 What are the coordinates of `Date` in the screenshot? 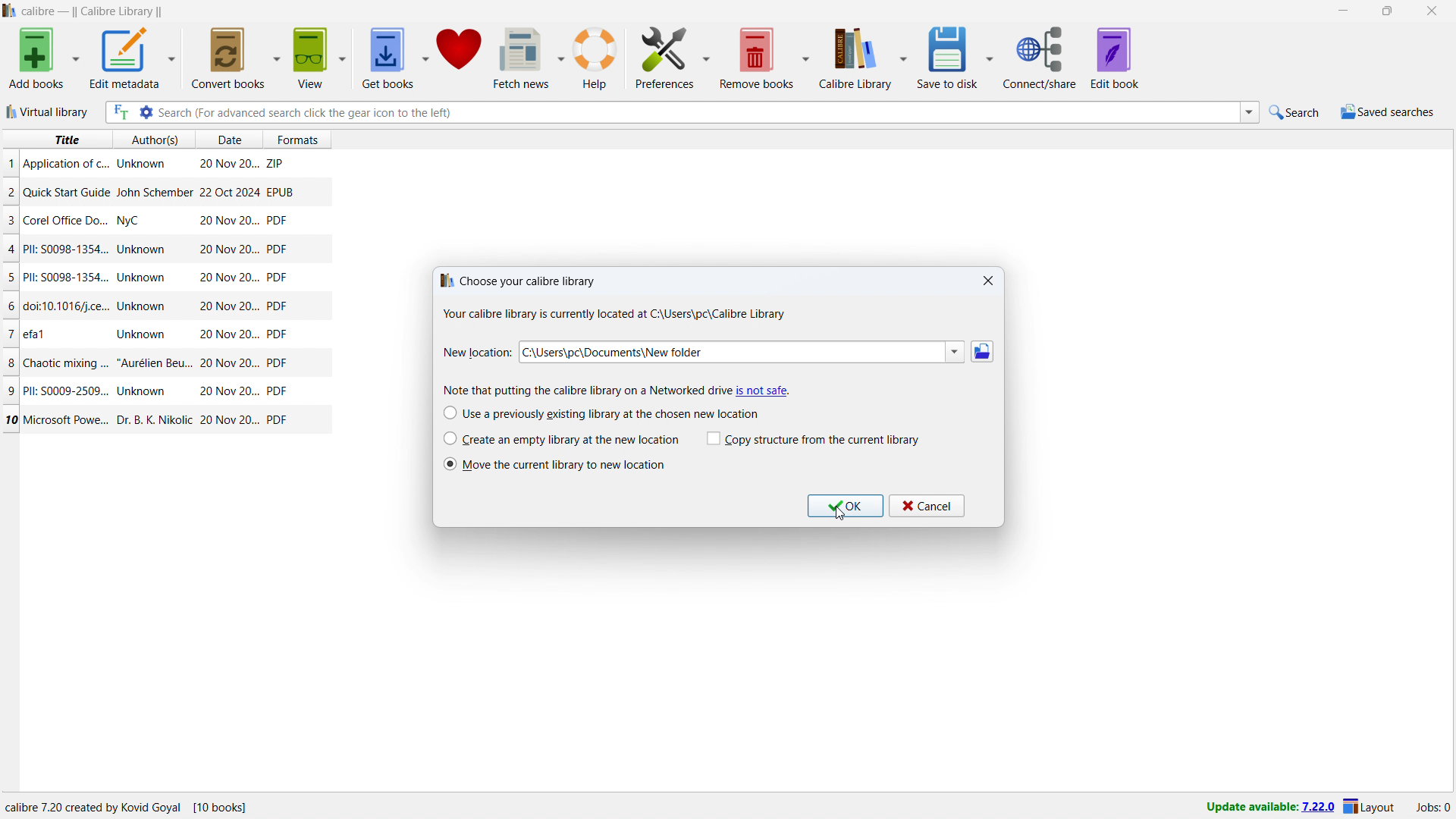 It's located at (229, 165).